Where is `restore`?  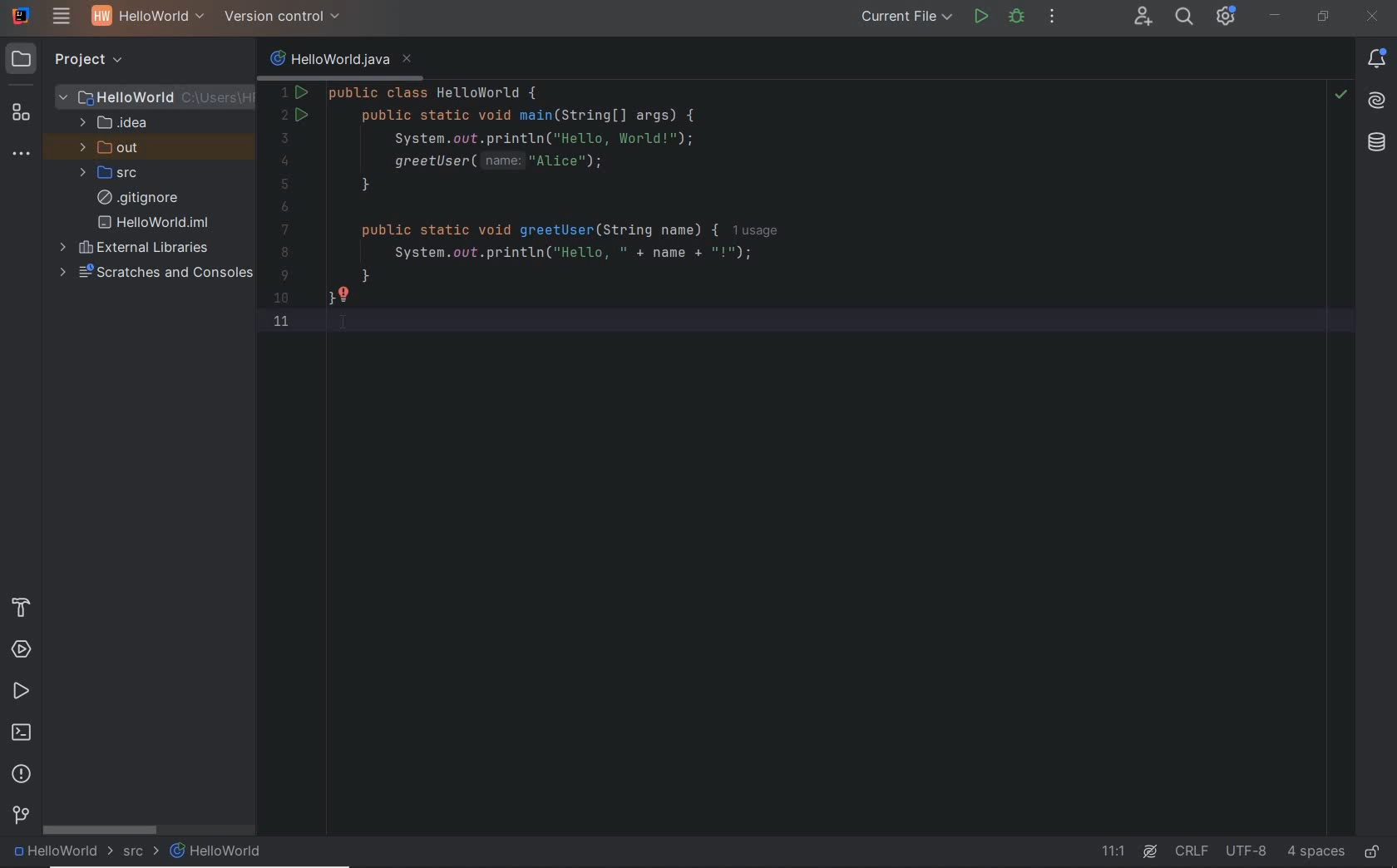
restore is located at coordinates (1322, 17).